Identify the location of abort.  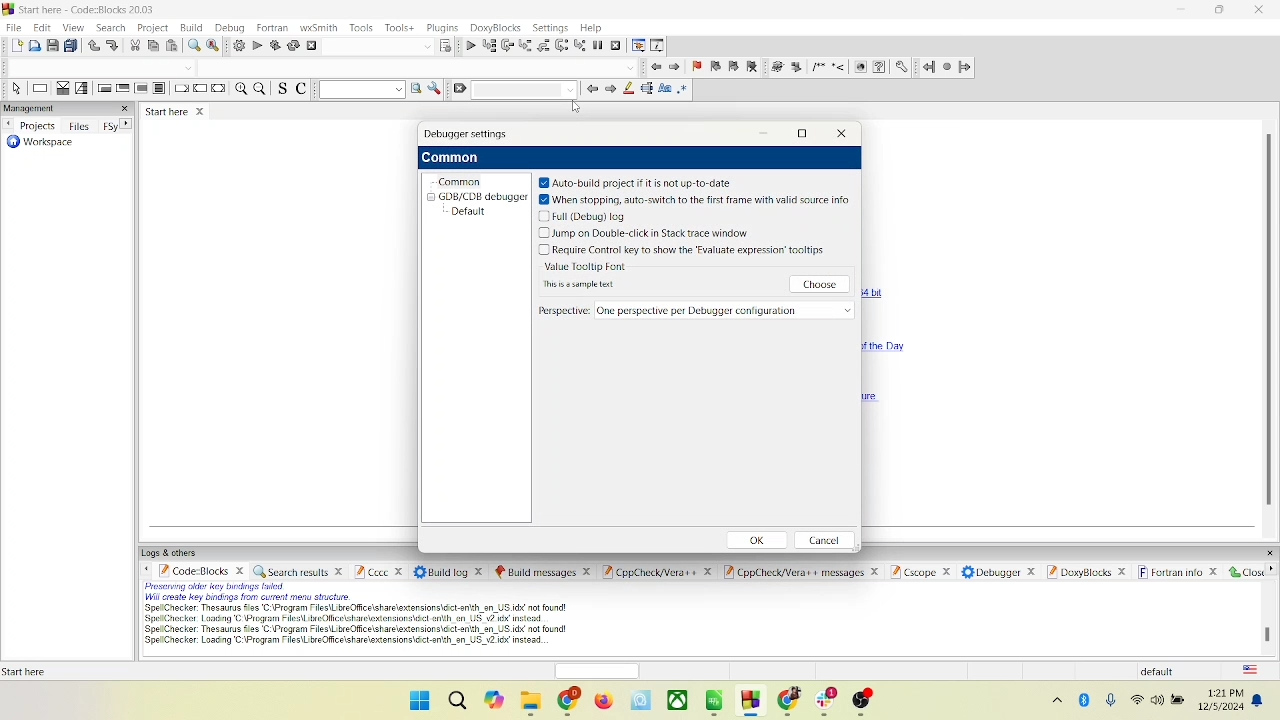
(308, 46).